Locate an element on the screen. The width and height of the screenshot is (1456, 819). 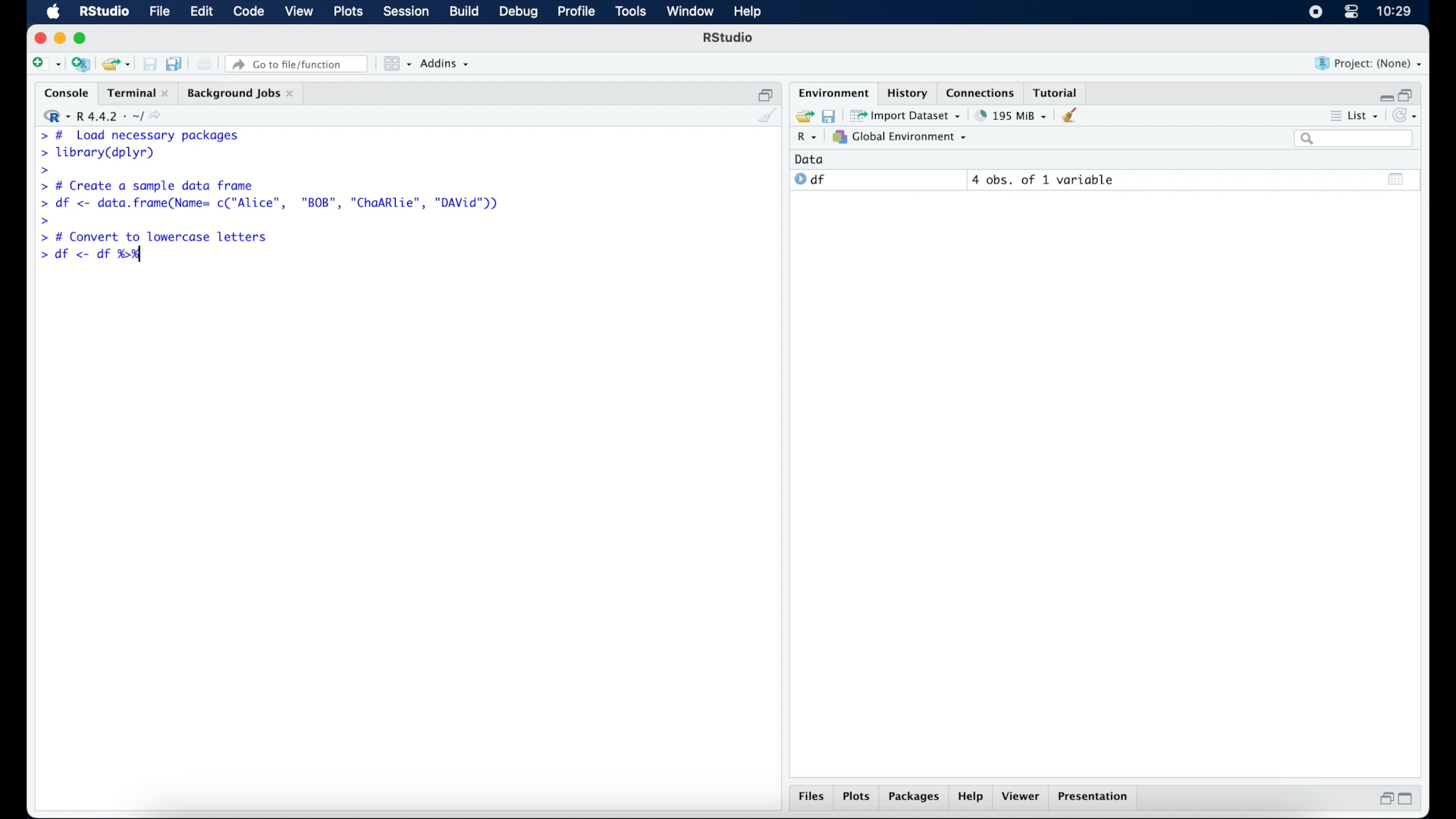
plots is located at coordinates (858, 798).